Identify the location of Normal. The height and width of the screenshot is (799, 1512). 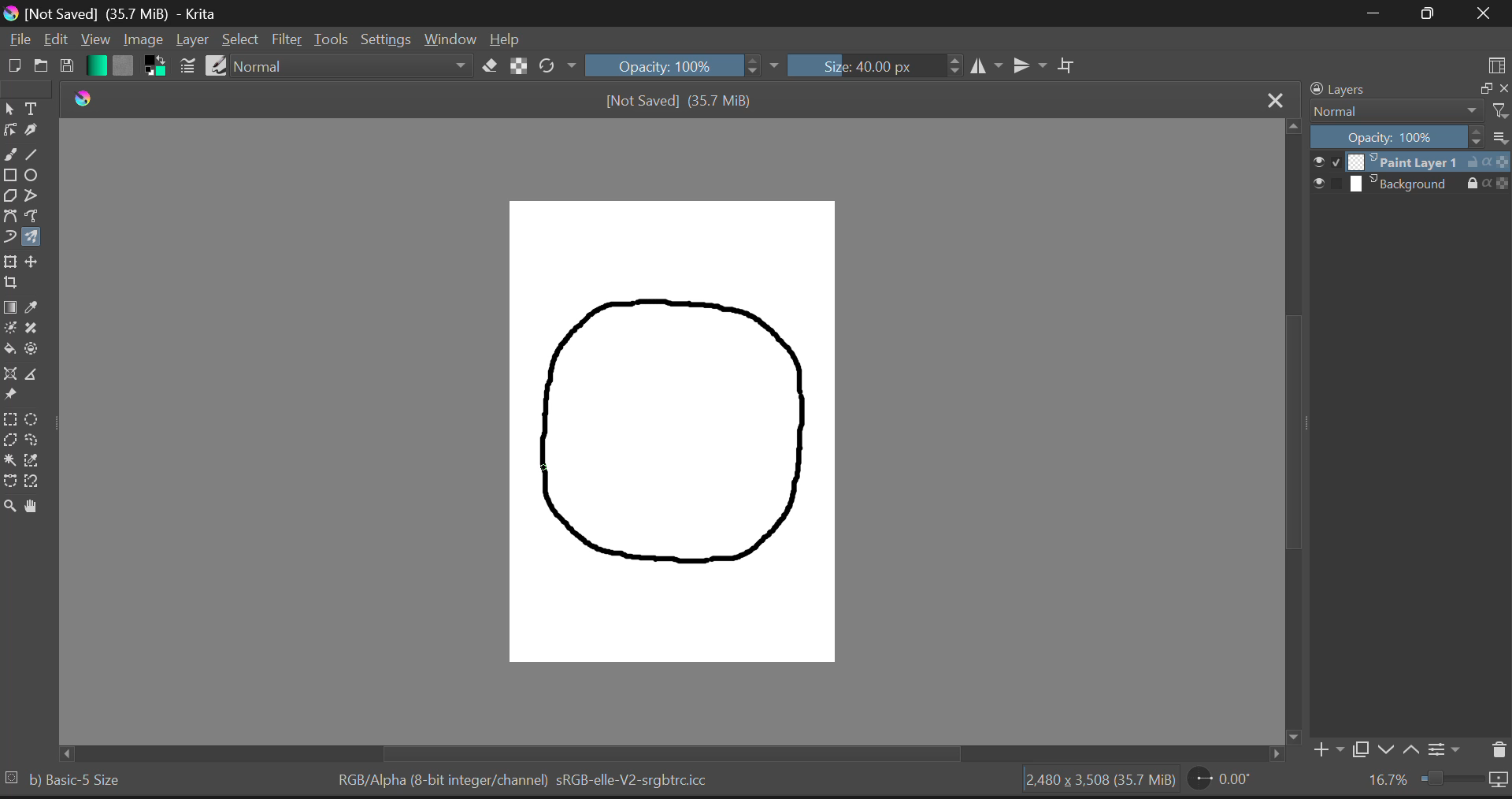
(354, 65).